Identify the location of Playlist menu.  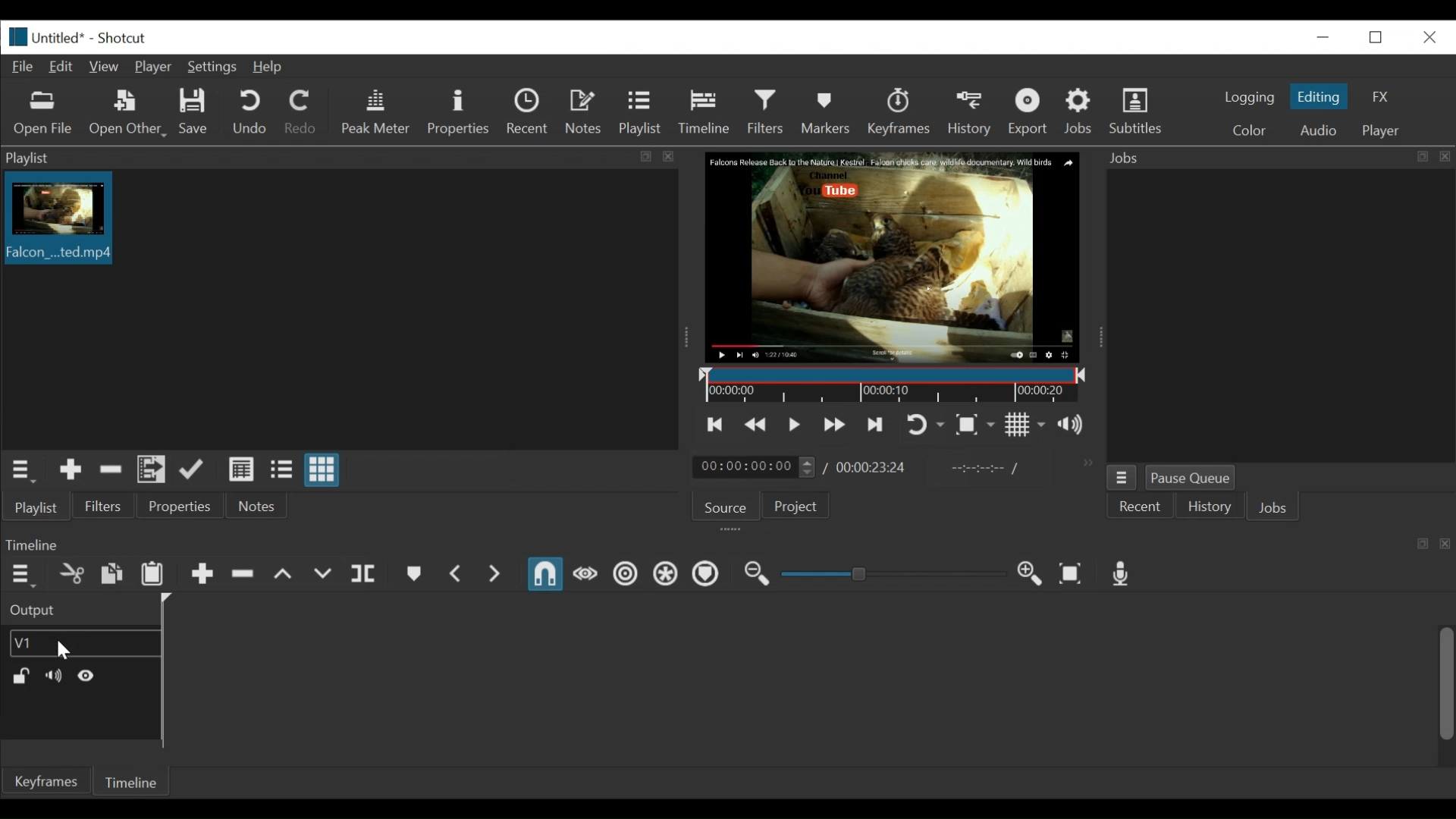
(20, 469).